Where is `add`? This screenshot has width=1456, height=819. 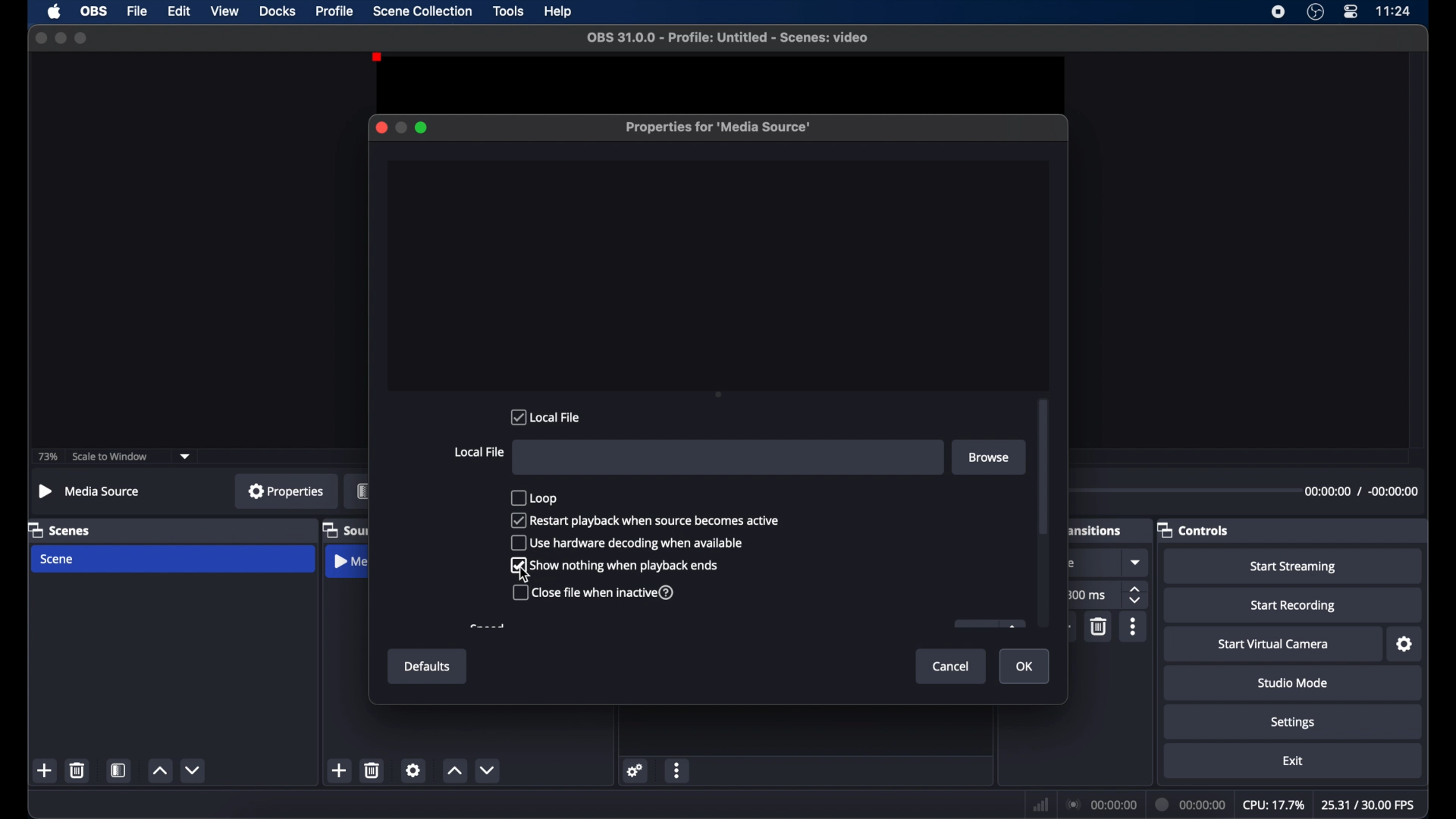 add is located at coordinates (45, 770).